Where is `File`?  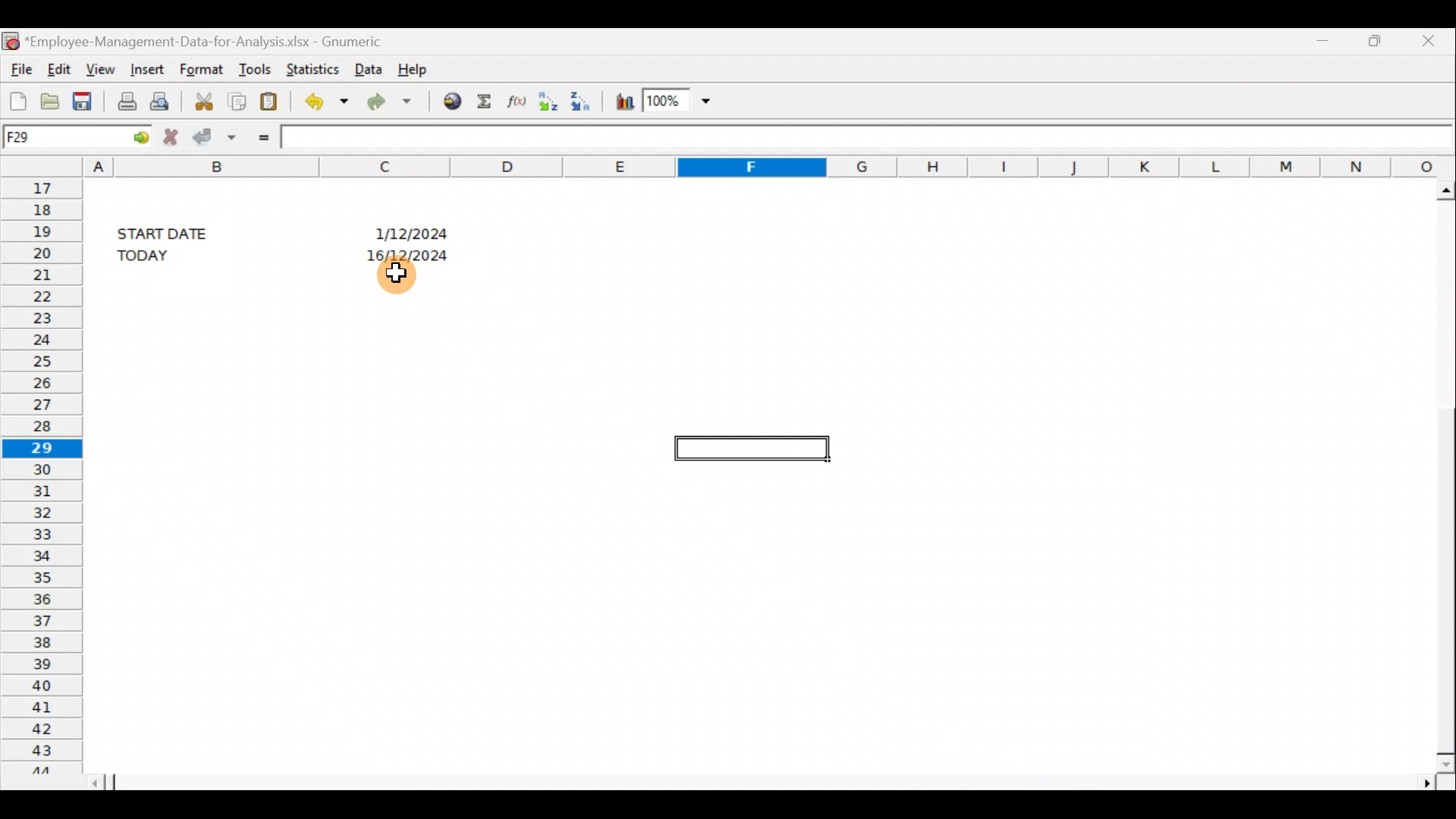 File is located at coordinates (19, 67).